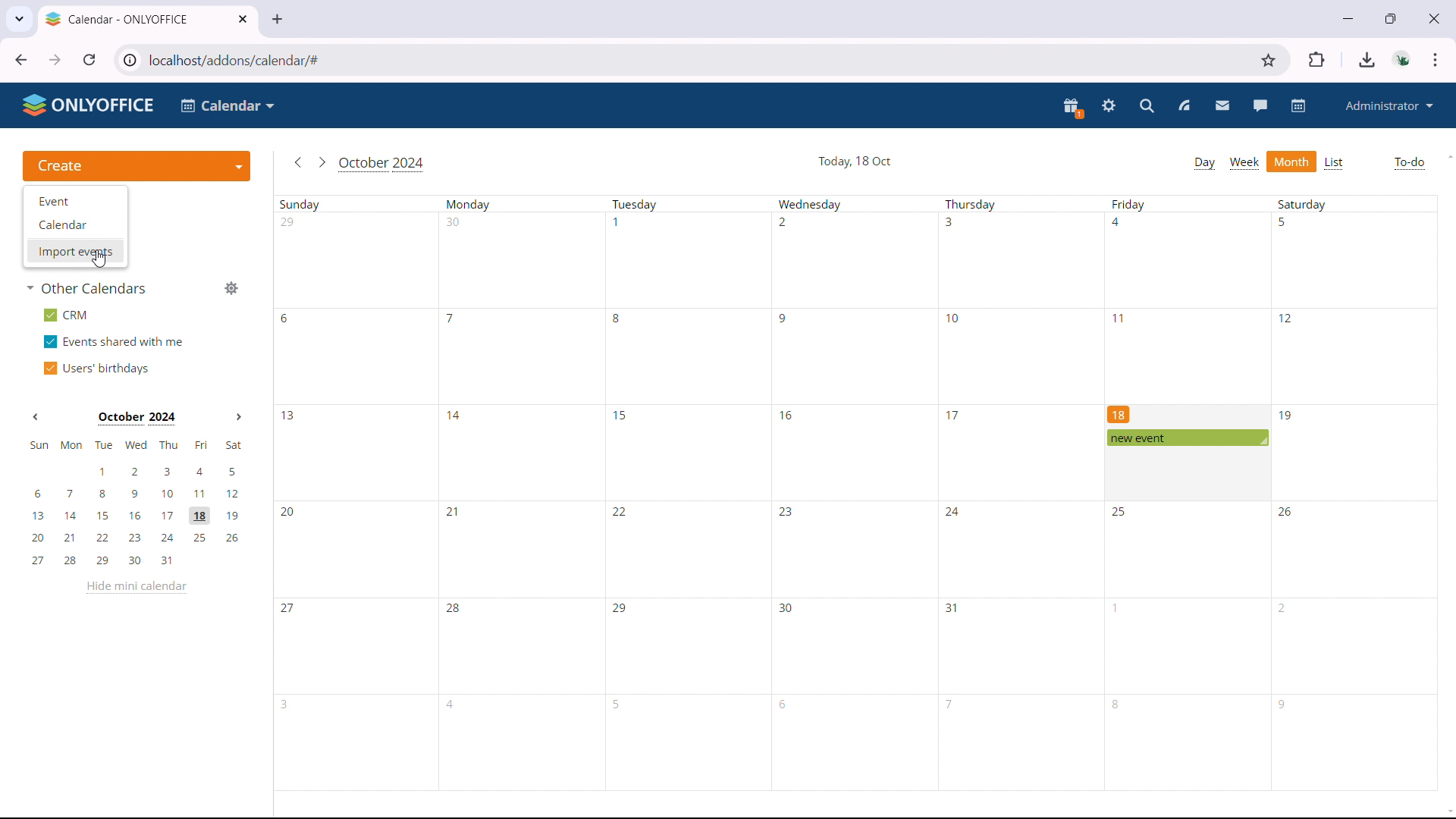  I want to click on 6, so click(786, 705).